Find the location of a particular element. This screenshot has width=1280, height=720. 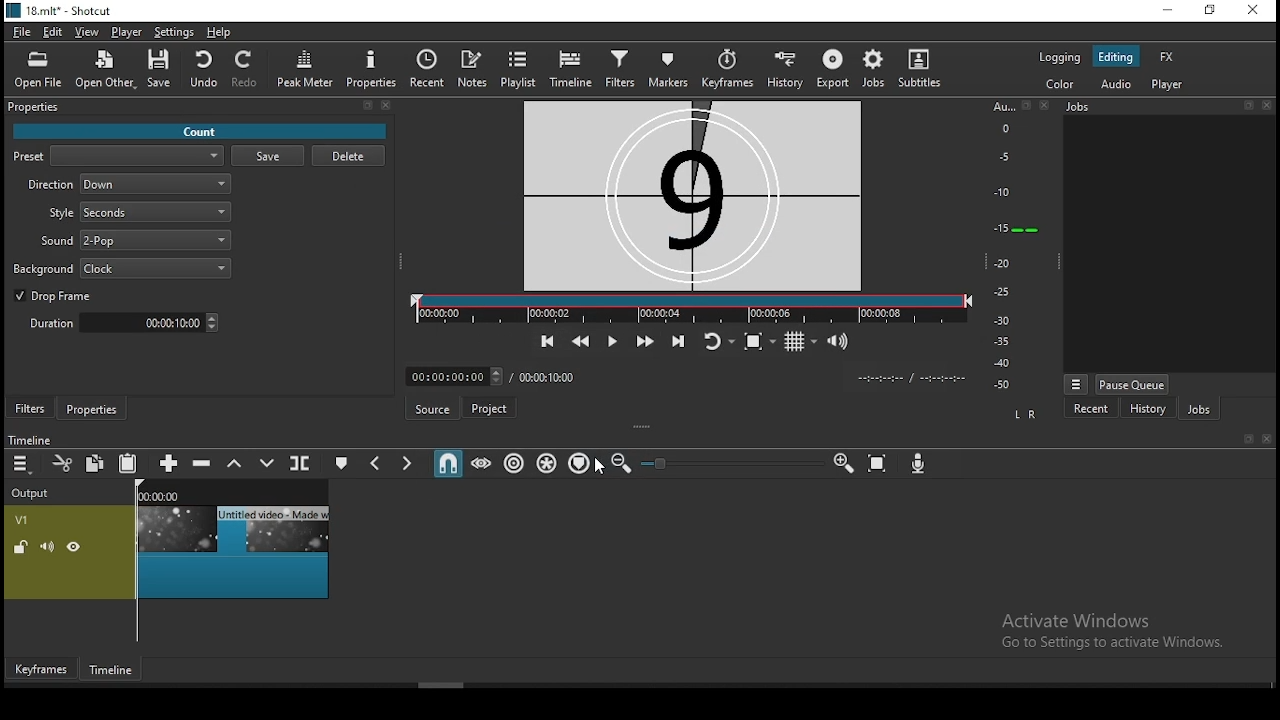

editing is located at coordinates (1116, 56).